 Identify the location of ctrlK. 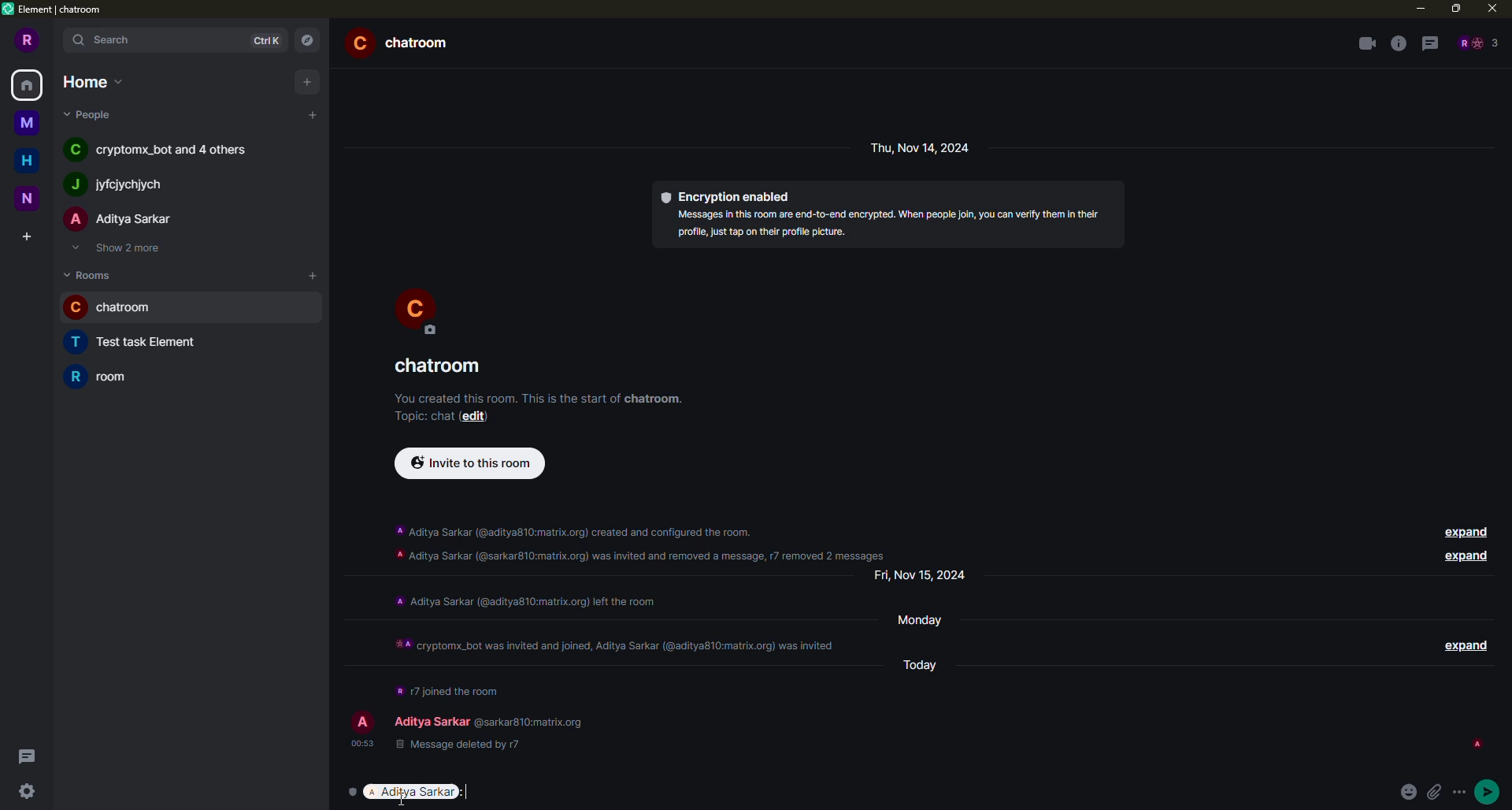
(263, 40).